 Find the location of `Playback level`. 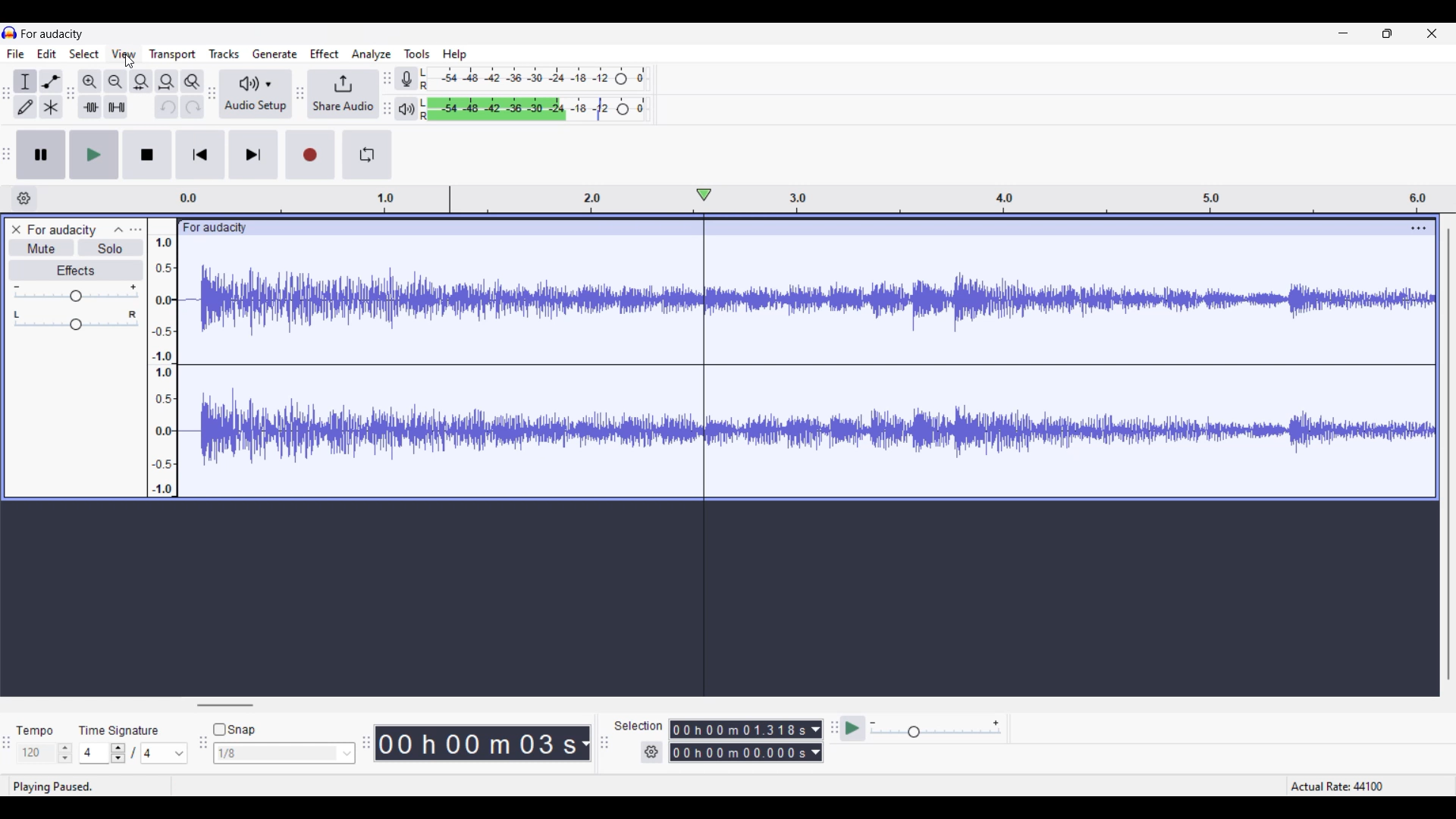

Playback level is located at coordinates (532, 109).